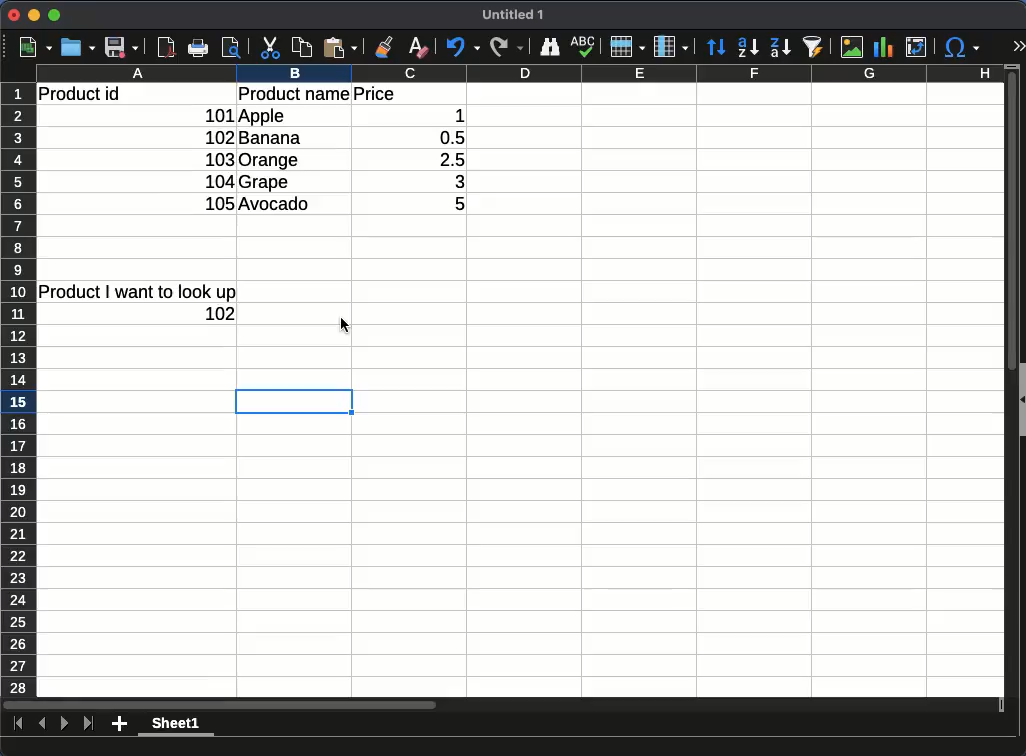  Describe the element at coordinates (781, 48) in the screenshot. I see `descending ` at that location.